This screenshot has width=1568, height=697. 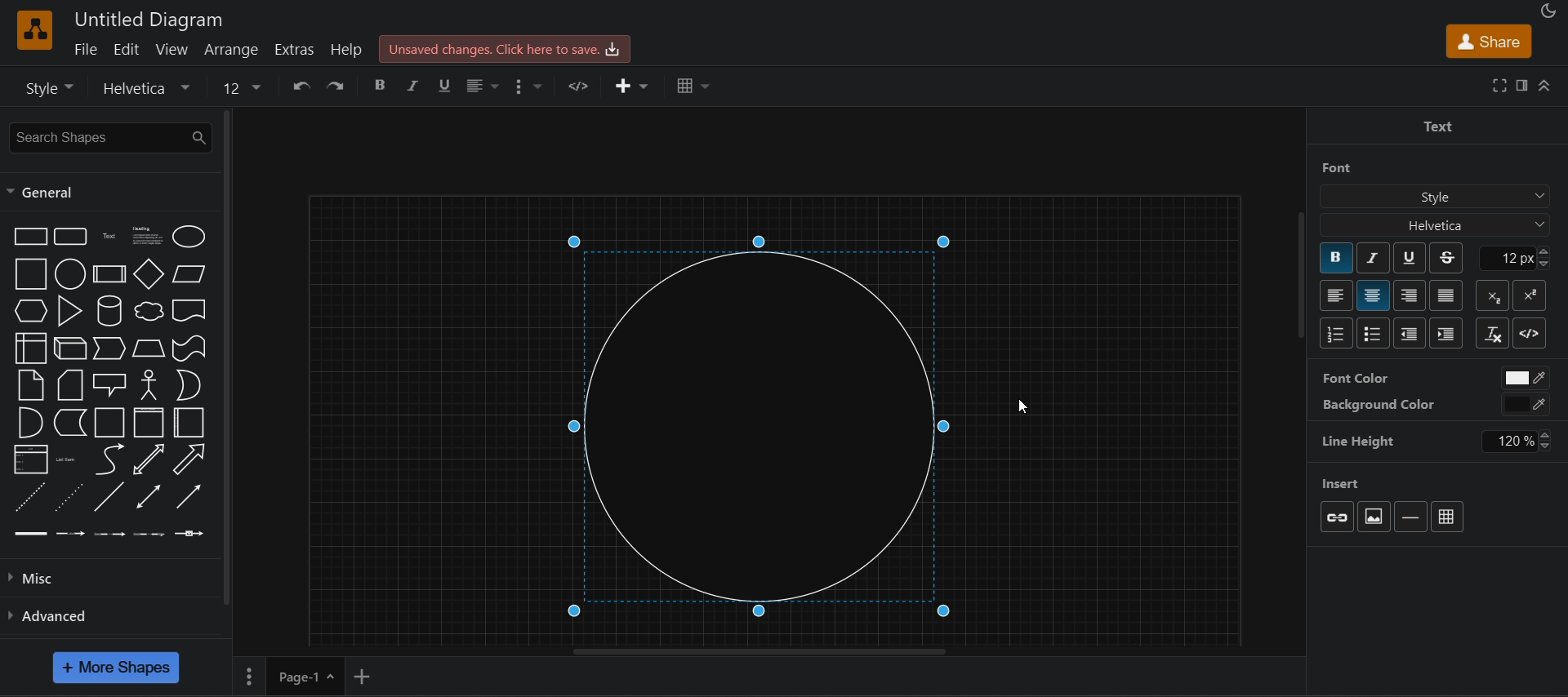 What do you see at coordinates (30, 273) in the screenshot?
I see `square` at bounding box center [30, 273].